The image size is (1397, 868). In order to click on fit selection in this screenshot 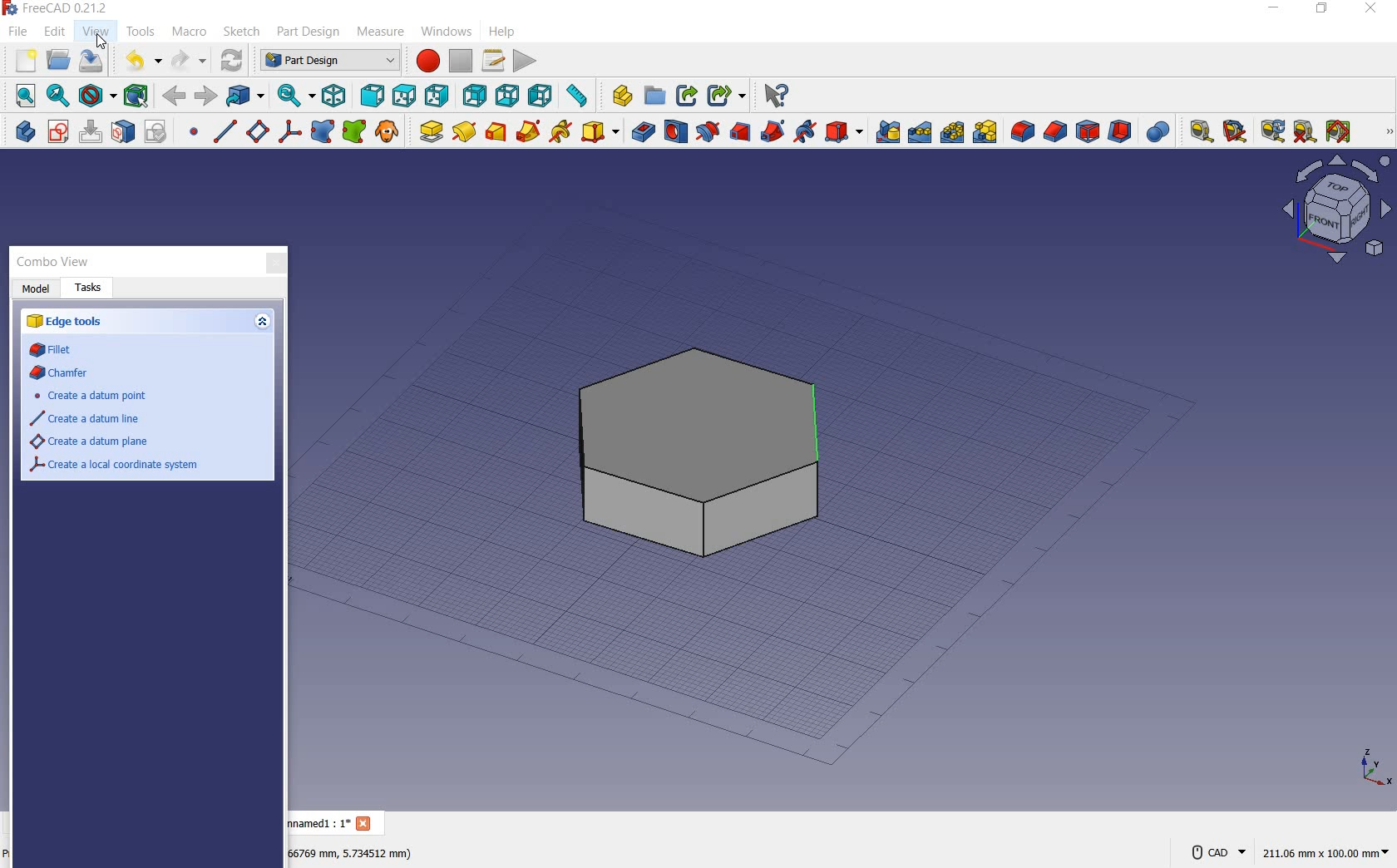, I will do `click(57, 96)`.